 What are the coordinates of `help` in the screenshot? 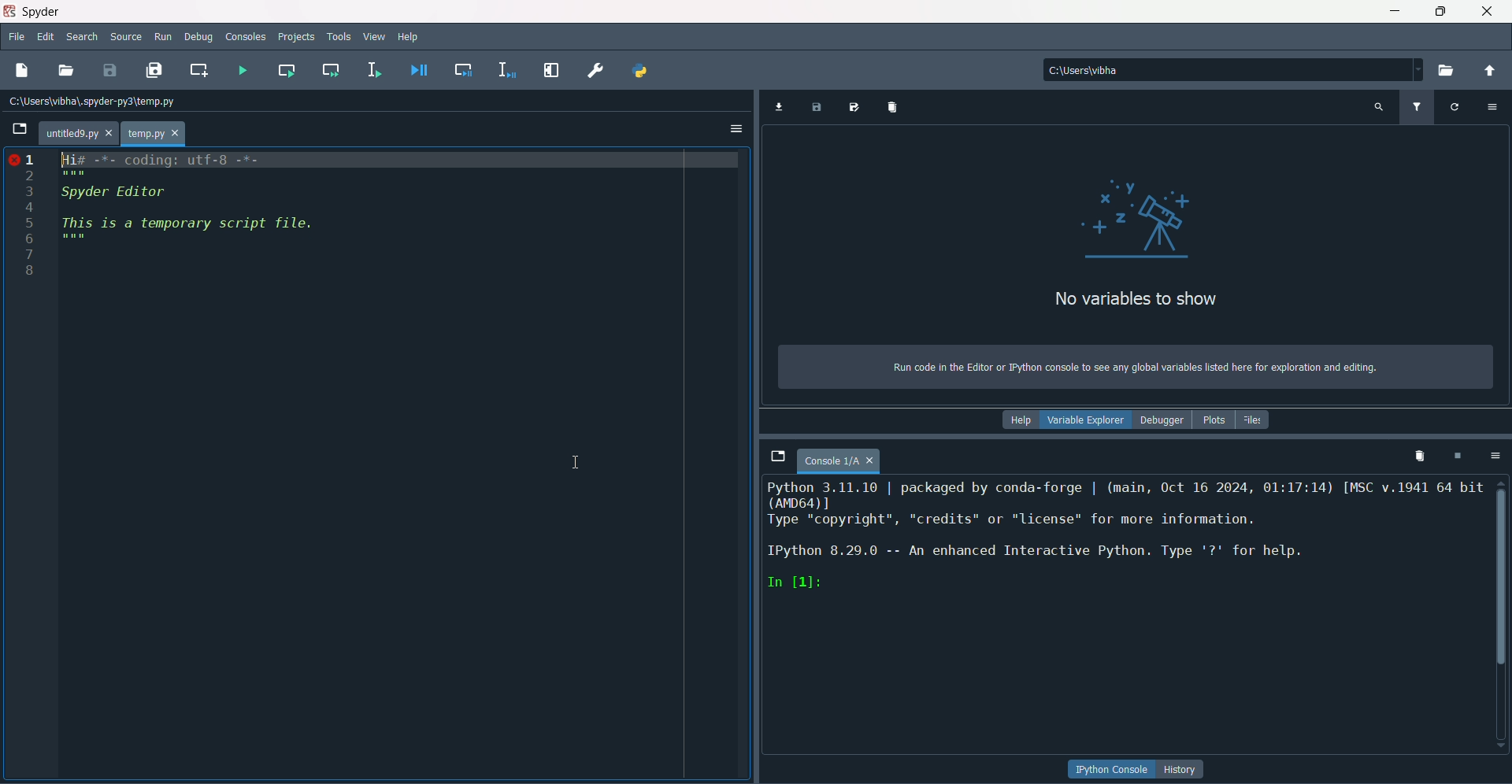 It's located at (1024, 421).